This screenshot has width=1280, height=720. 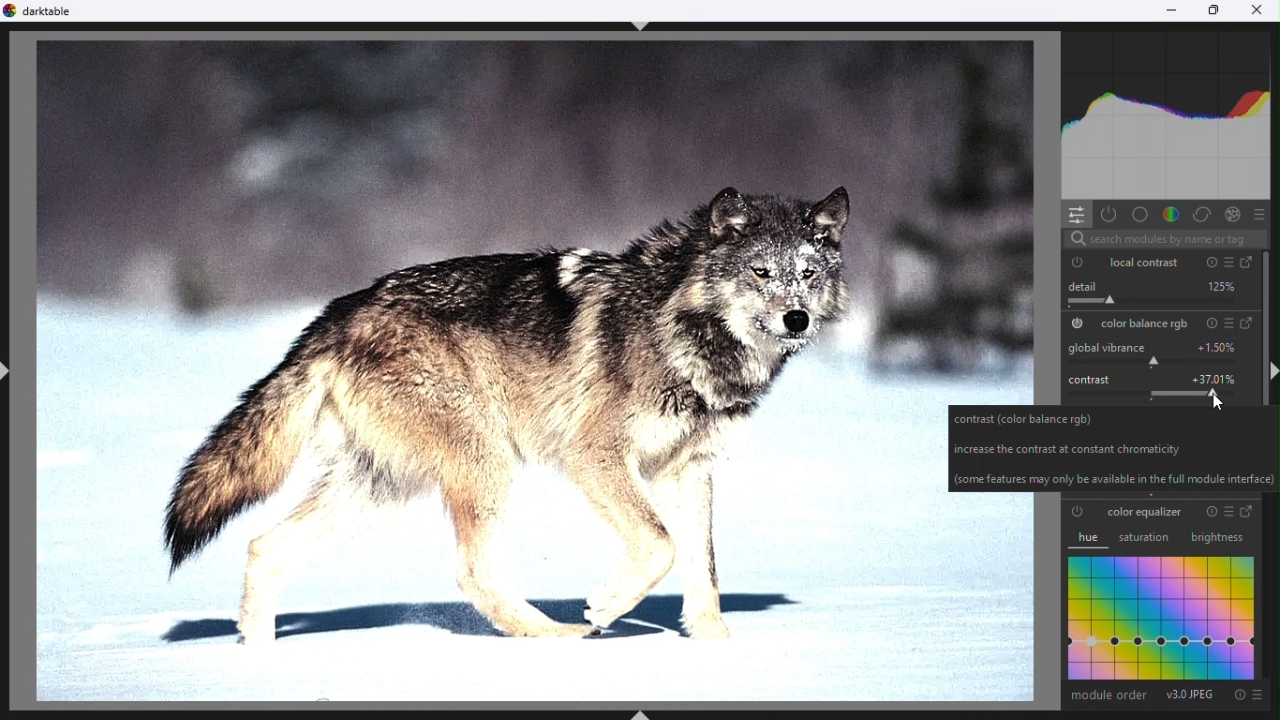 What do you see at coordinates (1078, 324) in the screenshot?
I see `color balance RGB is switched ON` at bounding box center [1078, 324].